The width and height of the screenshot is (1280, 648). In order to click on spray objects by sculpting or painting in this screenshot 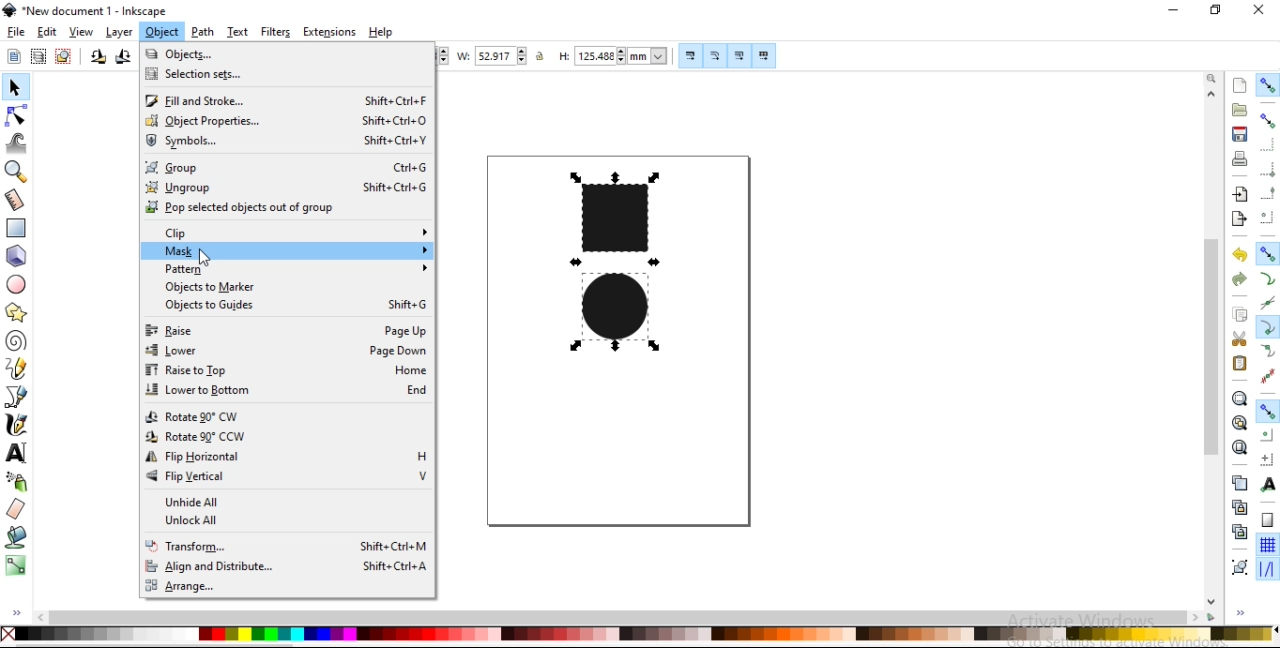, I will do `click(16, 482)`.